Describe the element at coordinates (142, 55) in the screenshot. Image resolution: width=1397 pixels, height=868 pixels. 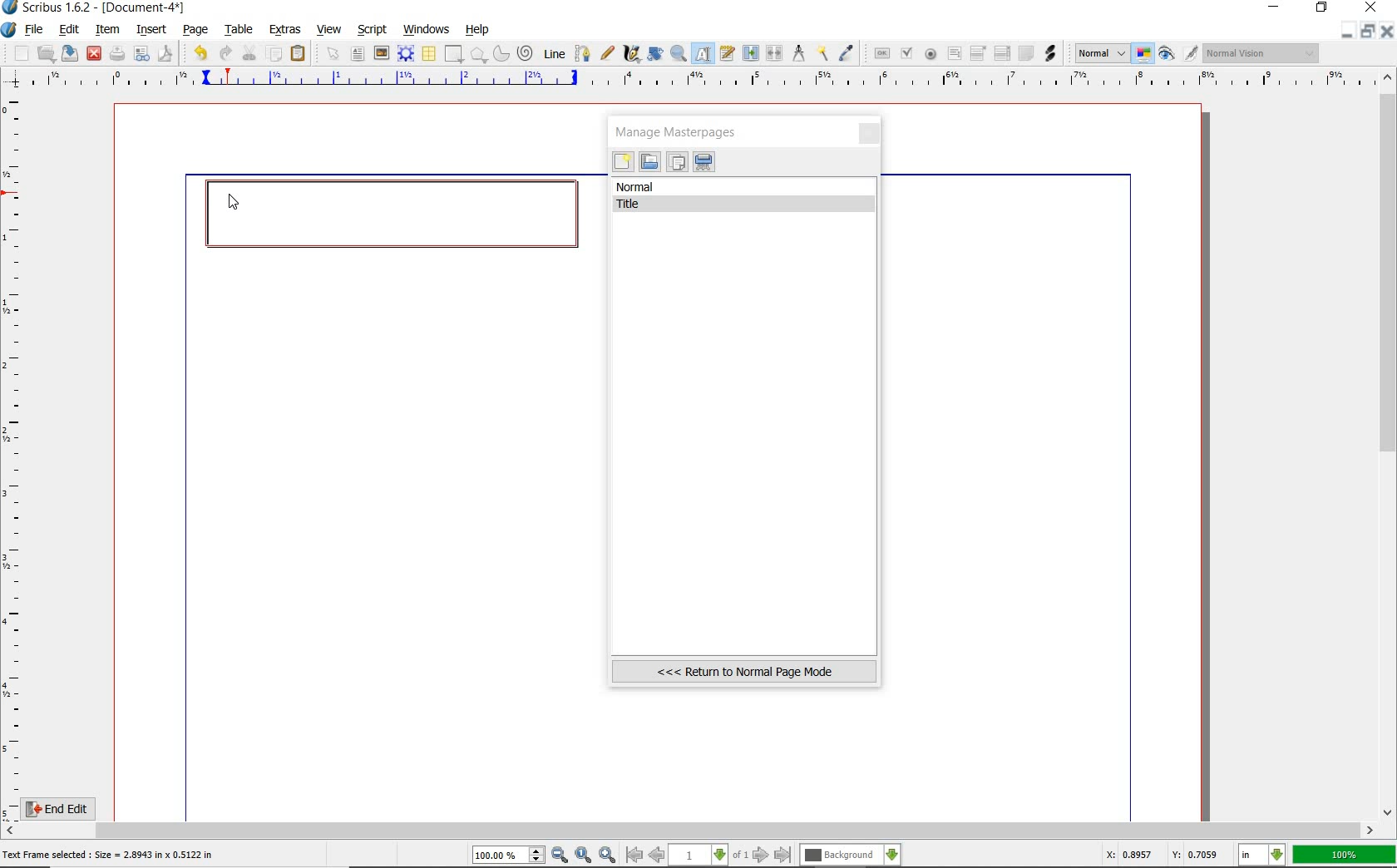
I see `preflight verifier` at that location.